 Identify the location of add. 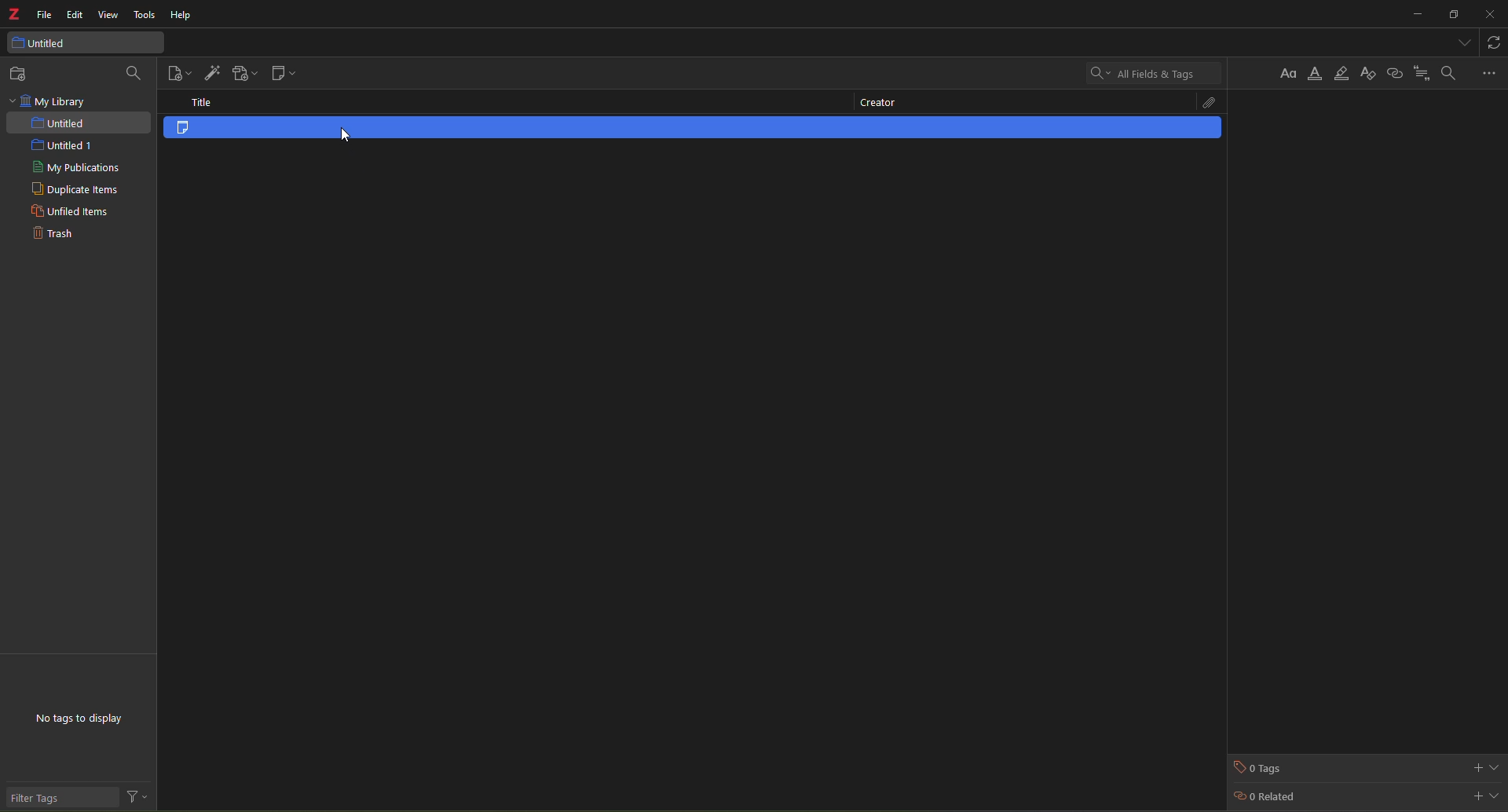
(1475, 795).